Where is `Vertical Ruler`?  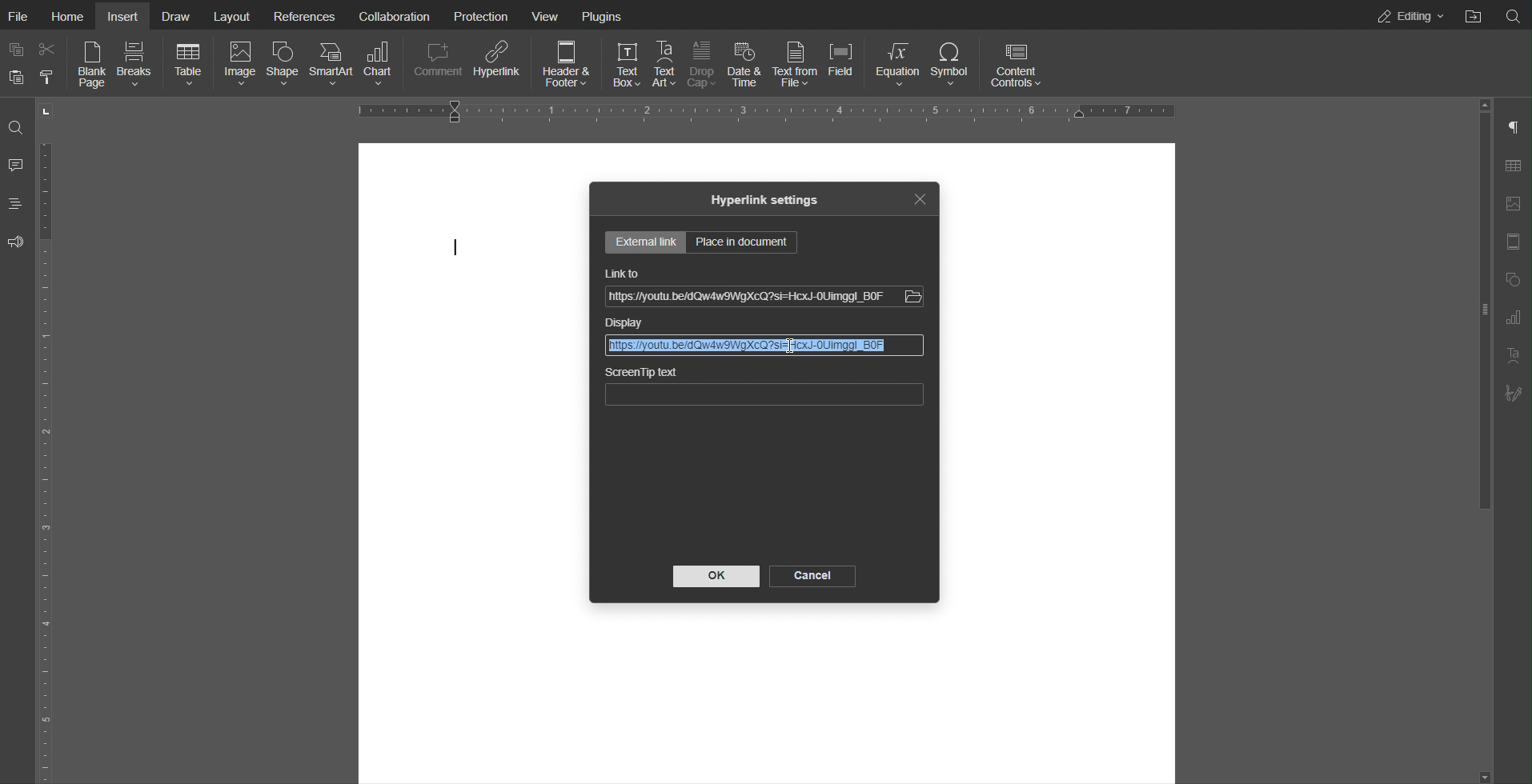
Vertical Ruler is located at coordinates (51, 460).